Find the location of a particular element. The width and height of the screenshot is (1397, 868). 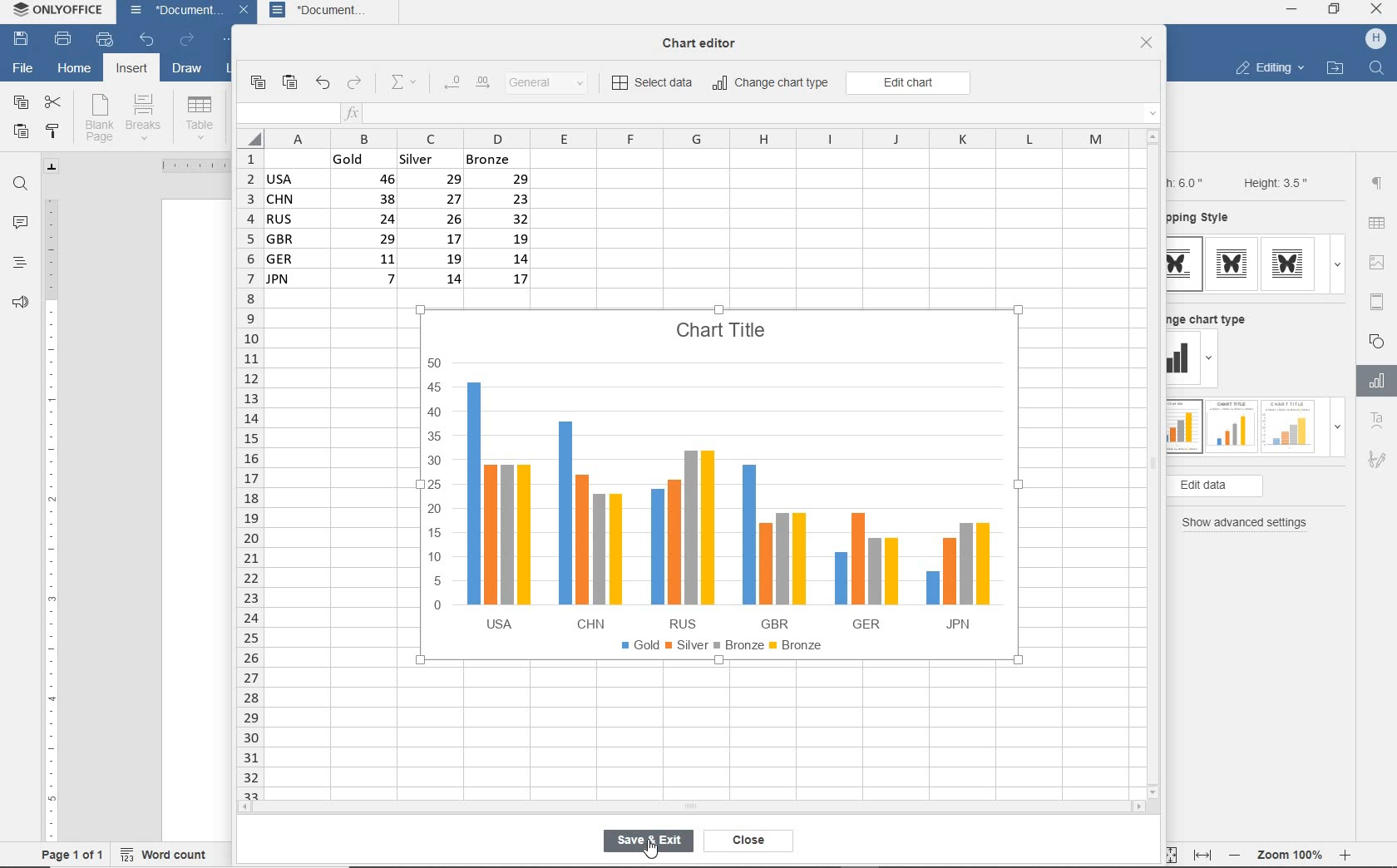

cursor is located at coordinates (657, 851).